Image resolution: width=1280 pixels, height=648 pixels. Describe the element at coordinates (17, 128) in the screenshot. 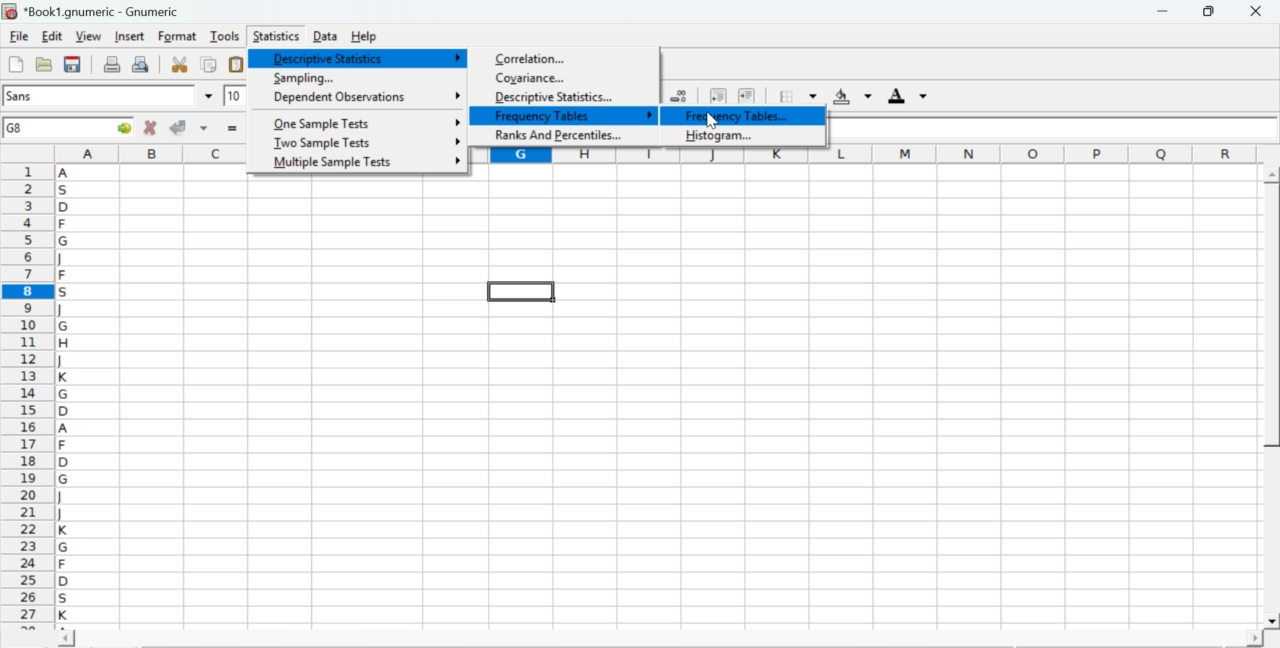

I see `G8` at that location.